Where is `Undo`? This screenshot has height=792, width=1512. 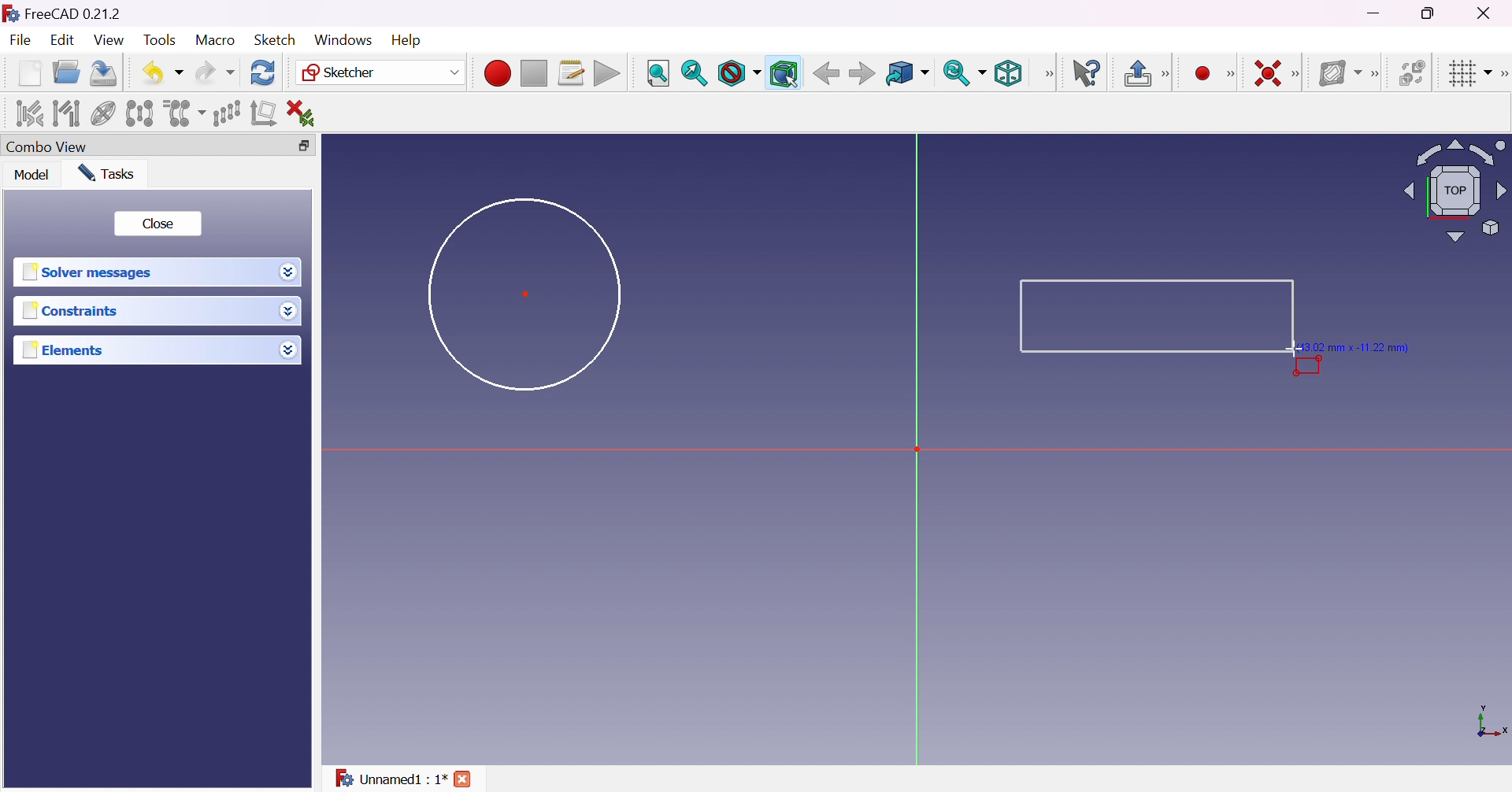 Undo is located at coordinates (163, 72).